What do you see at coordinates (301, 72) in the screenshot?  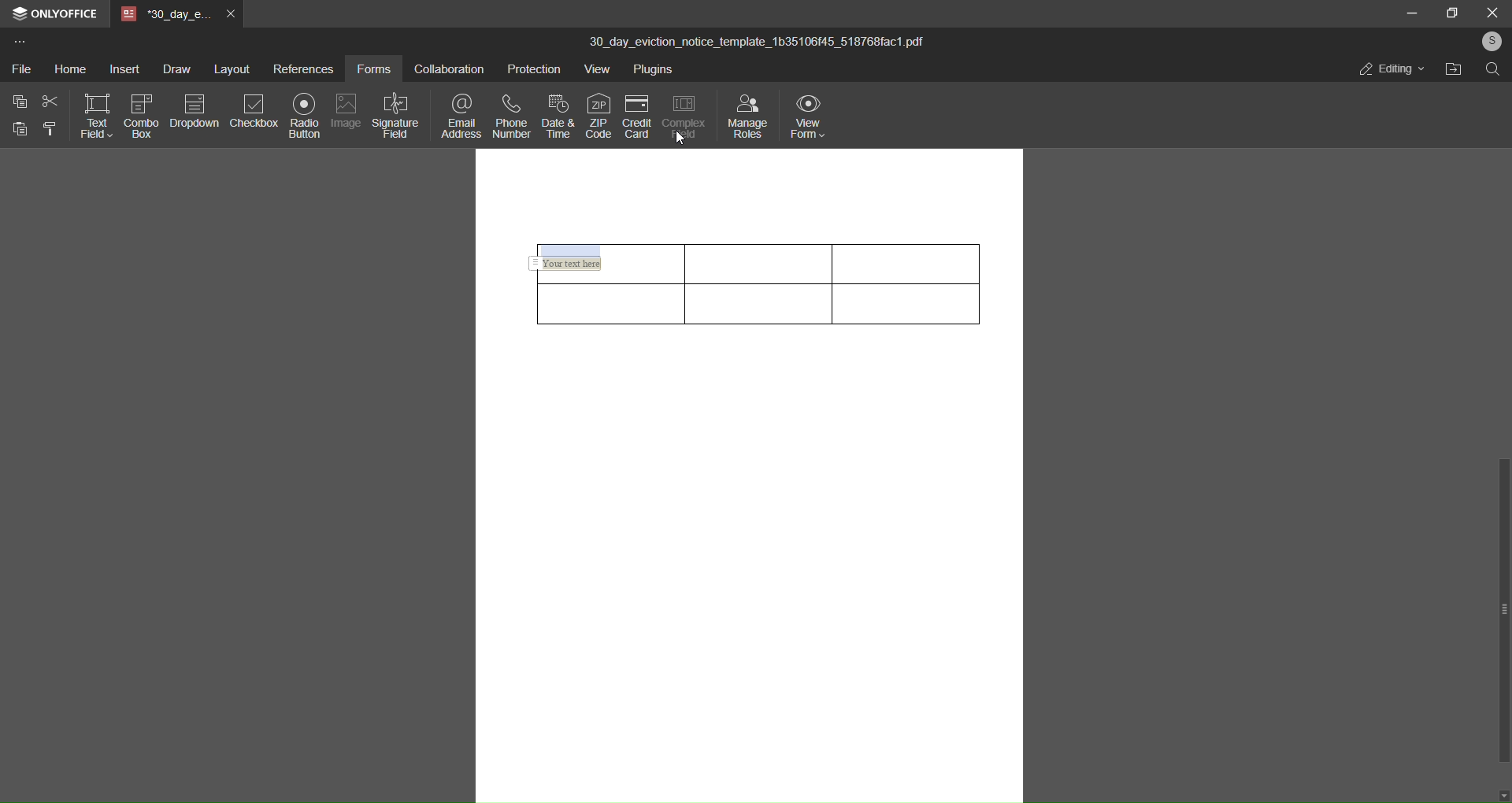 I see `references` at bounding box center [301, 72].